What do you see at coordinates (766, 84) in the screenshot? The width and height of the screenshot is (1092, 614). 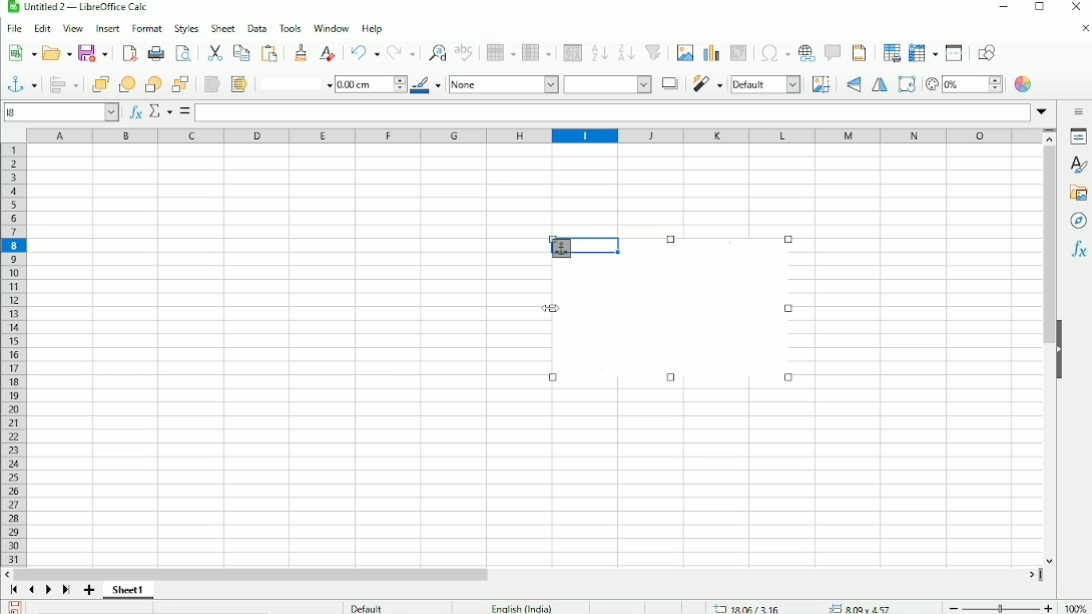 I see `Image mode` at bounding box center [766, 84].